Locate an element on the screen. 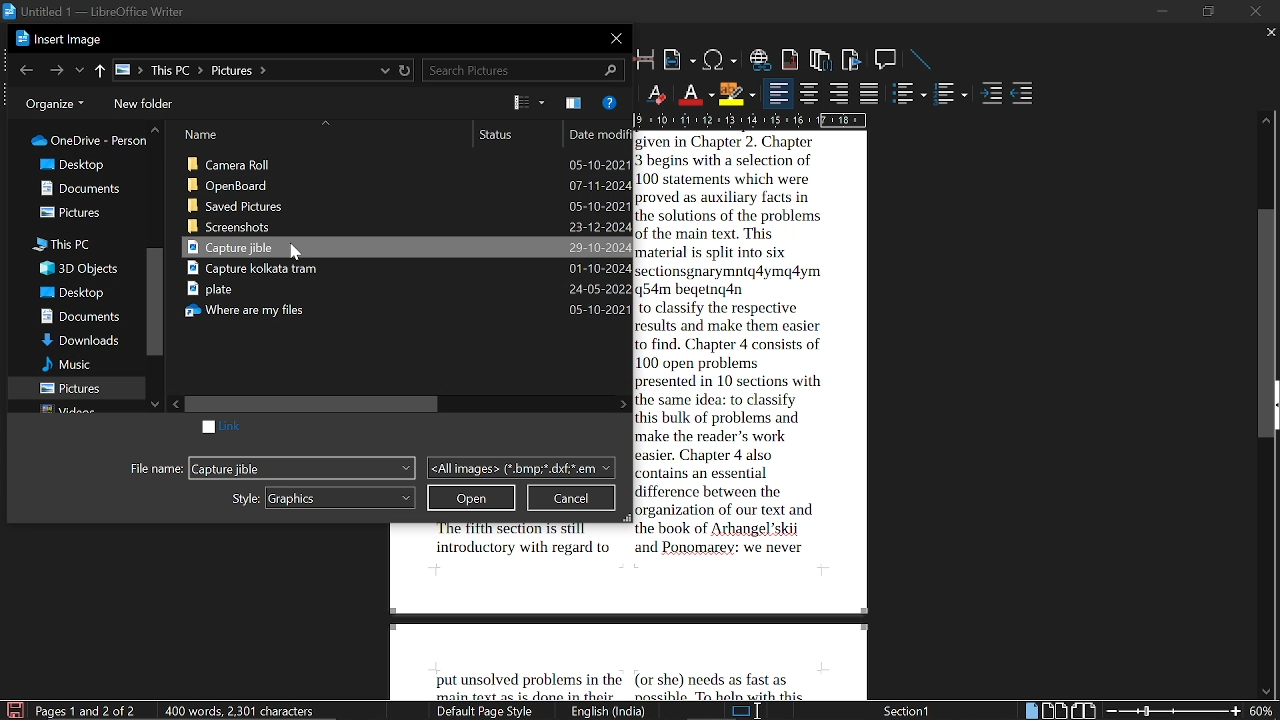  current zoom is located at coordinates (1263, 711).